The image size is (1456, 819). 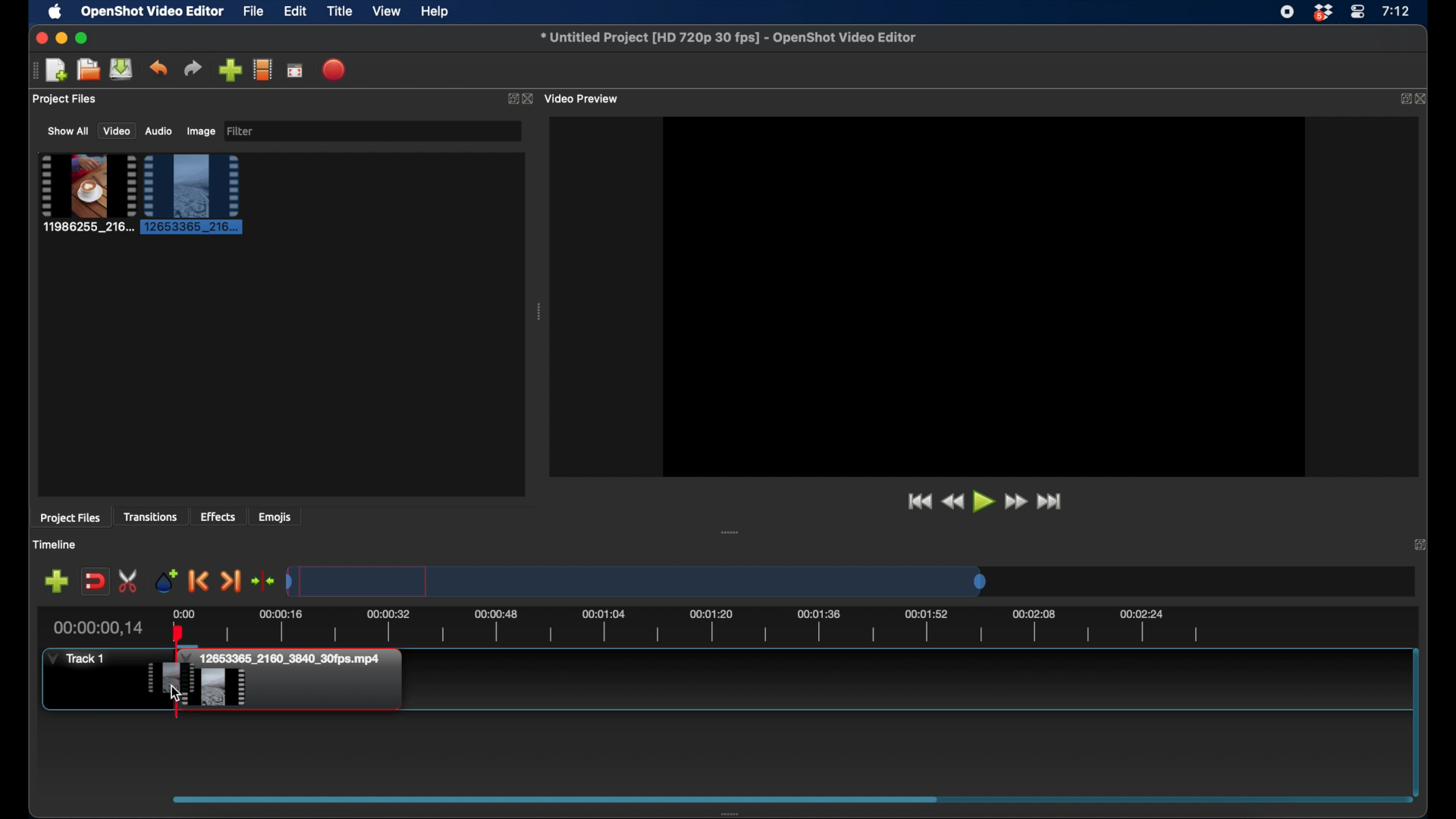 I want to click on fast forward, so click(x=1018, y=502).